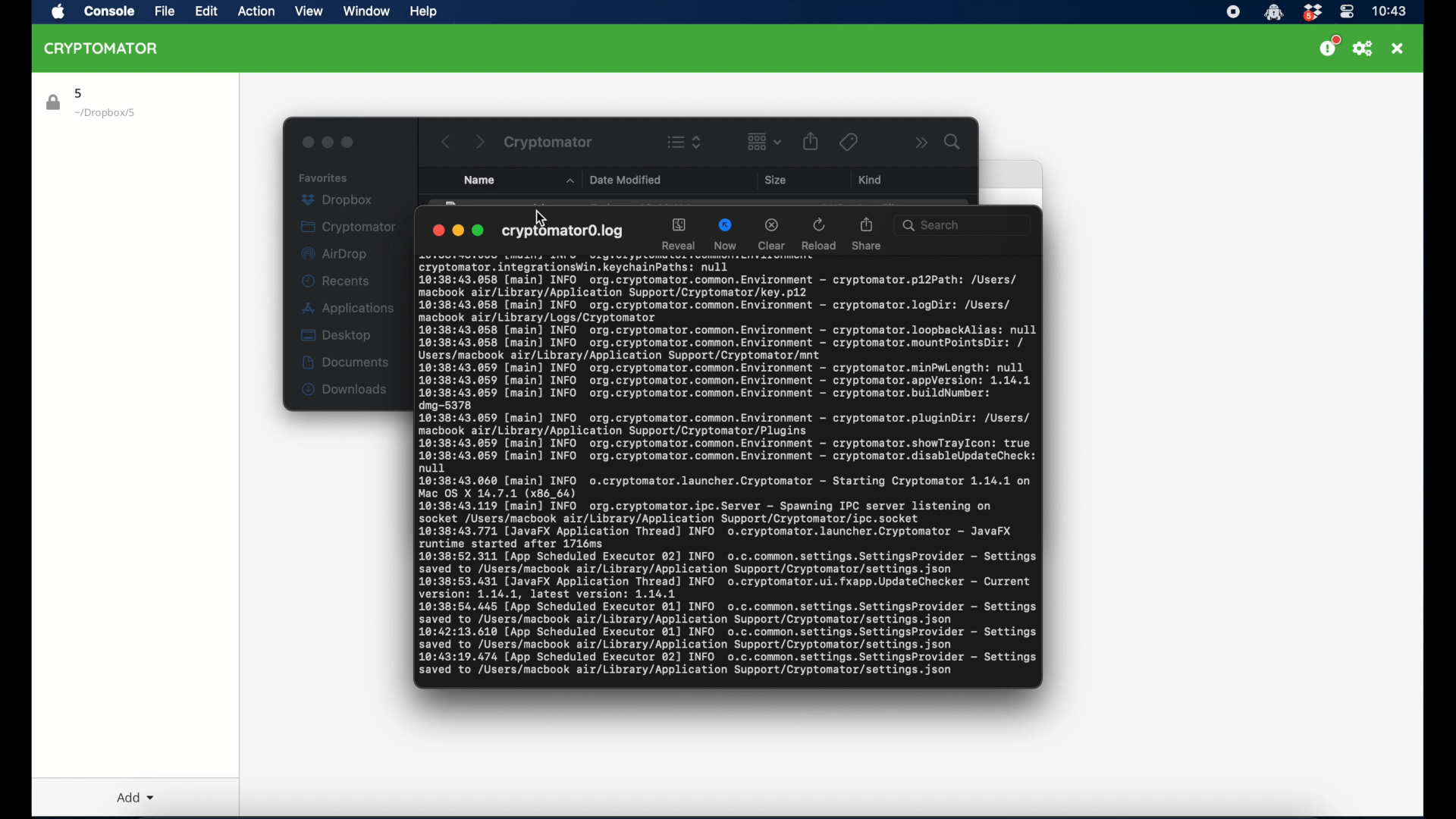  What do you see at coordinates (921, 143) in the screenshot?
I see `more options` at bounding box center [921, 143].